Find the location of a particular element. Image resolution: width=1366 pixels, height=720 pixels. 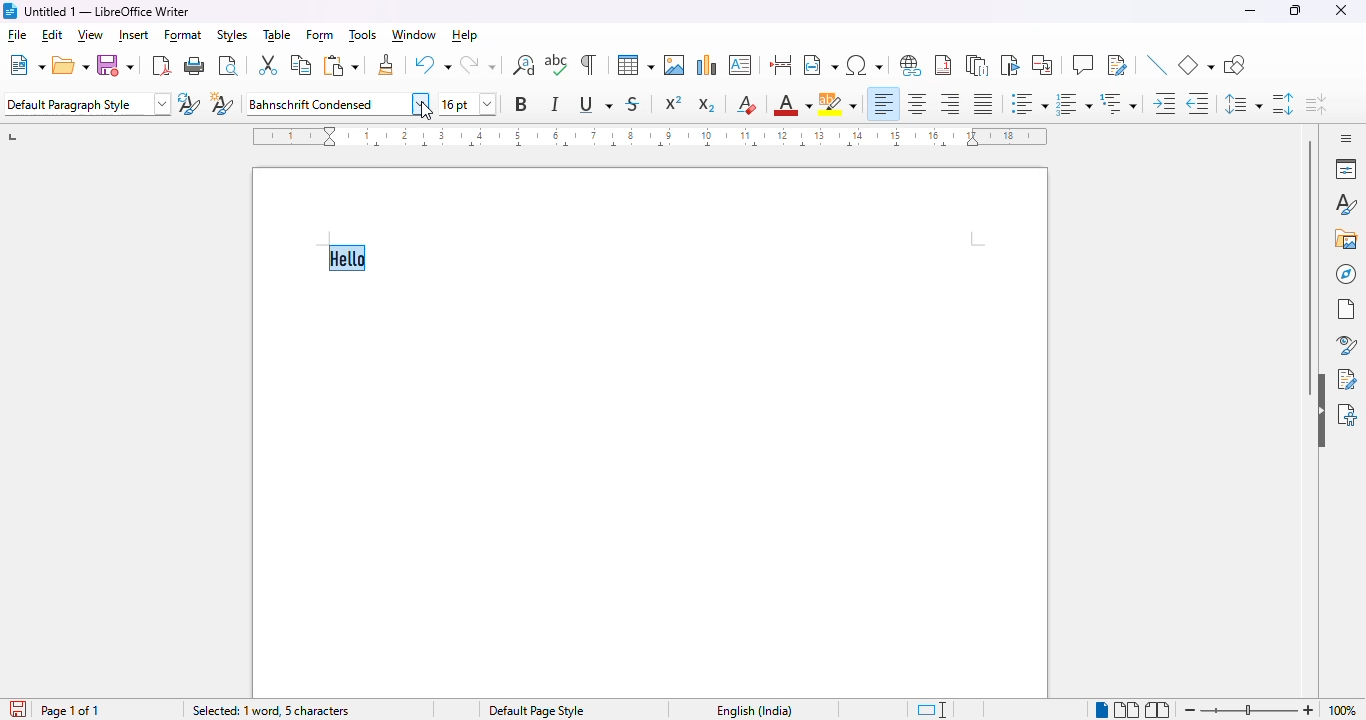

insert footnote is located at coordinates (943, 65).